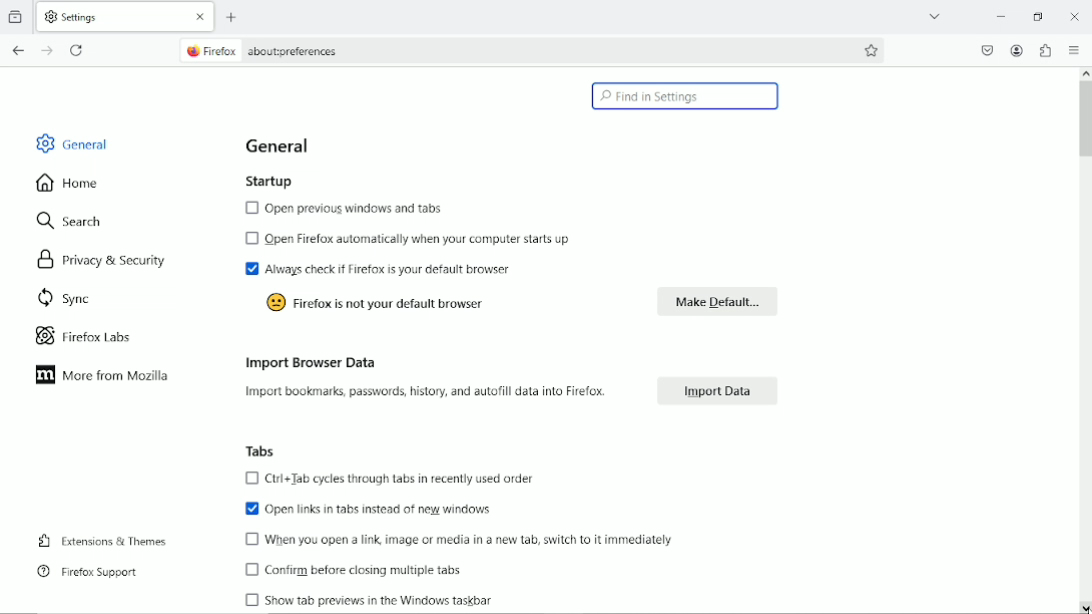 Image resolution: width=1092 pixels, height=614 pixels. Describe the element at coordinates (1001, 17) in the screenshot. I see `minimize` at that location.